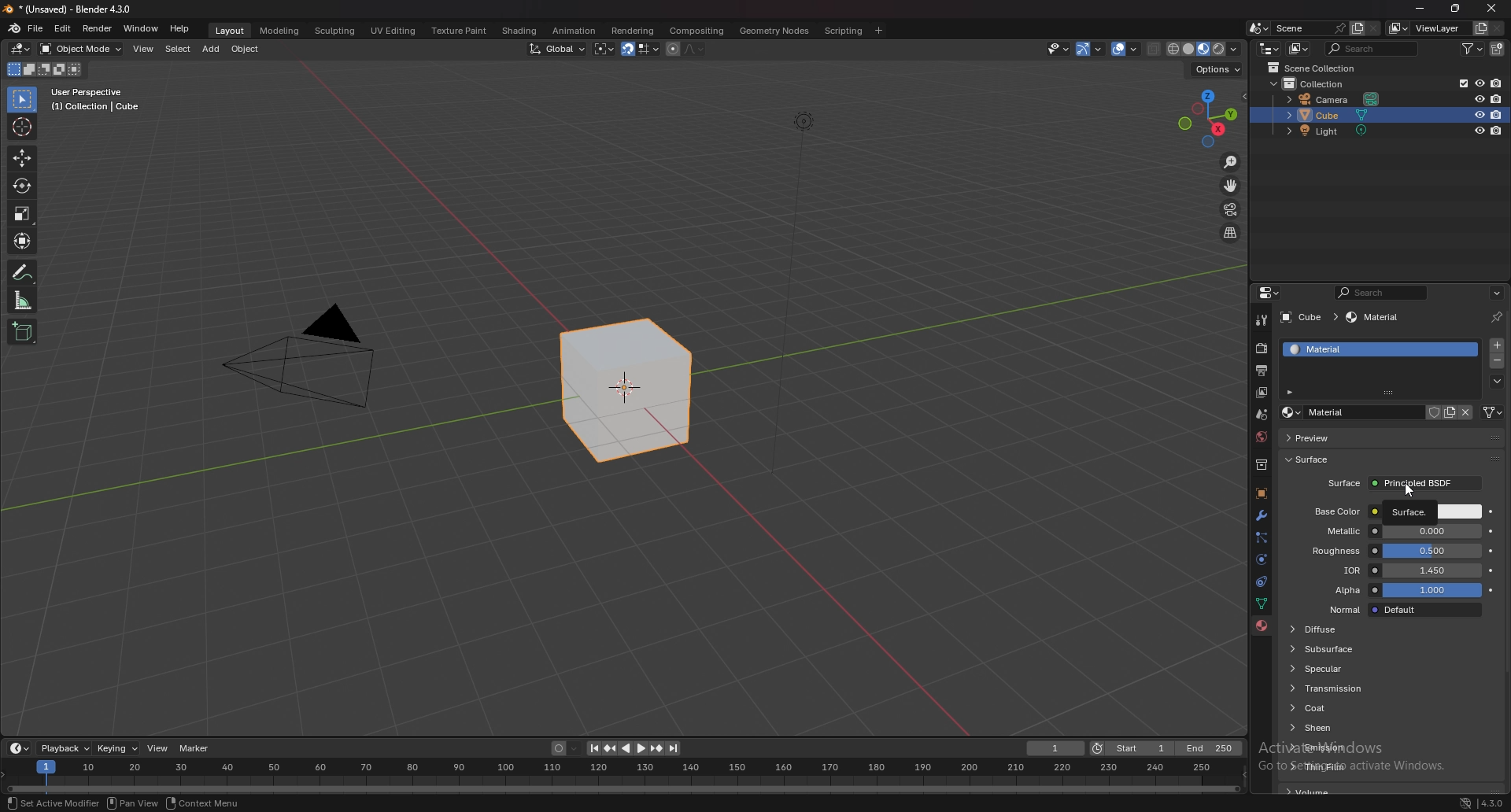 This screenshot has height=812, width=1511. I want to click on filter, so click(1476, 48).